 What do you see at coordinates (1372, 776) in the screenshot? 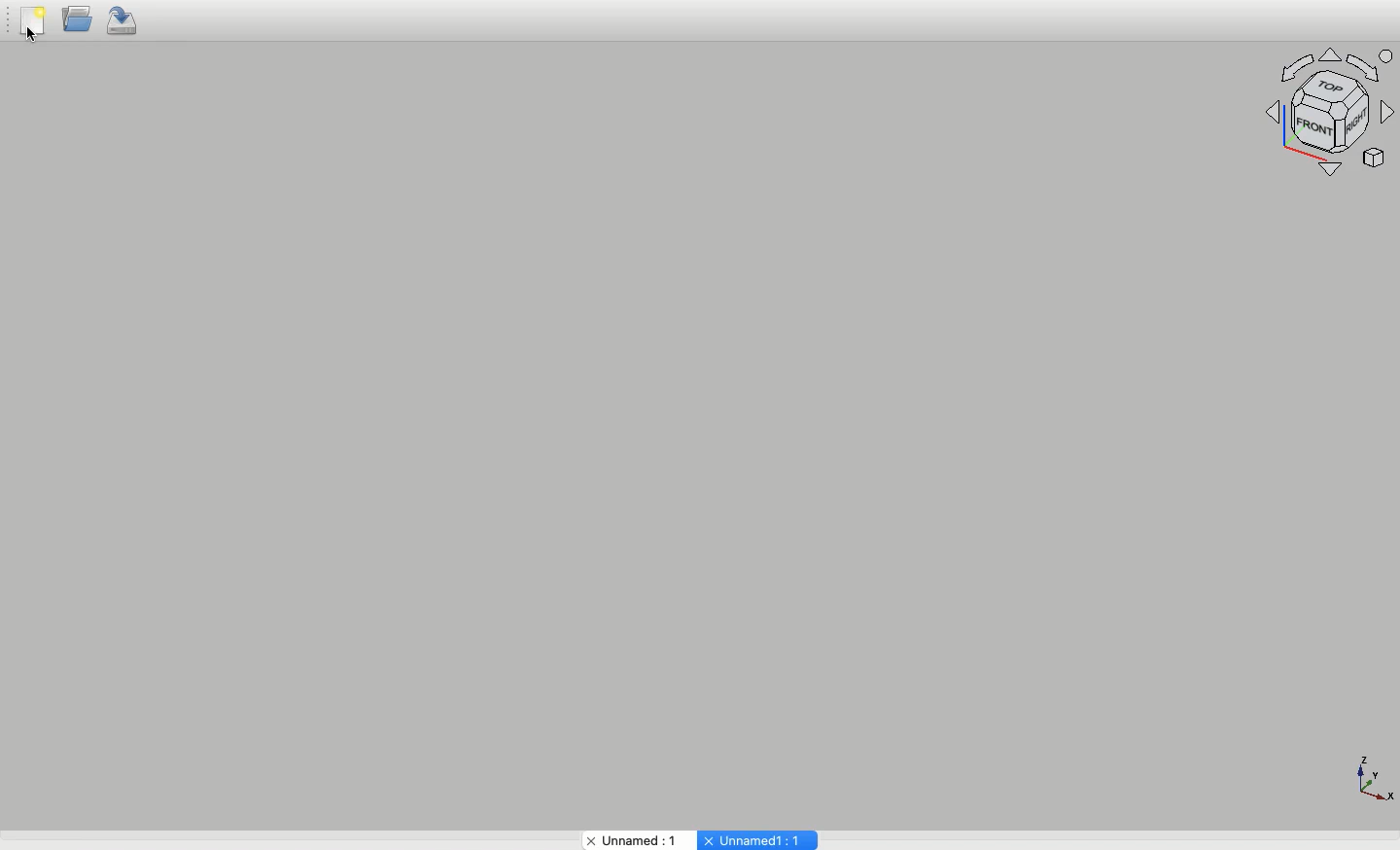
I see `Axis` at bounding box center [1372, 776].